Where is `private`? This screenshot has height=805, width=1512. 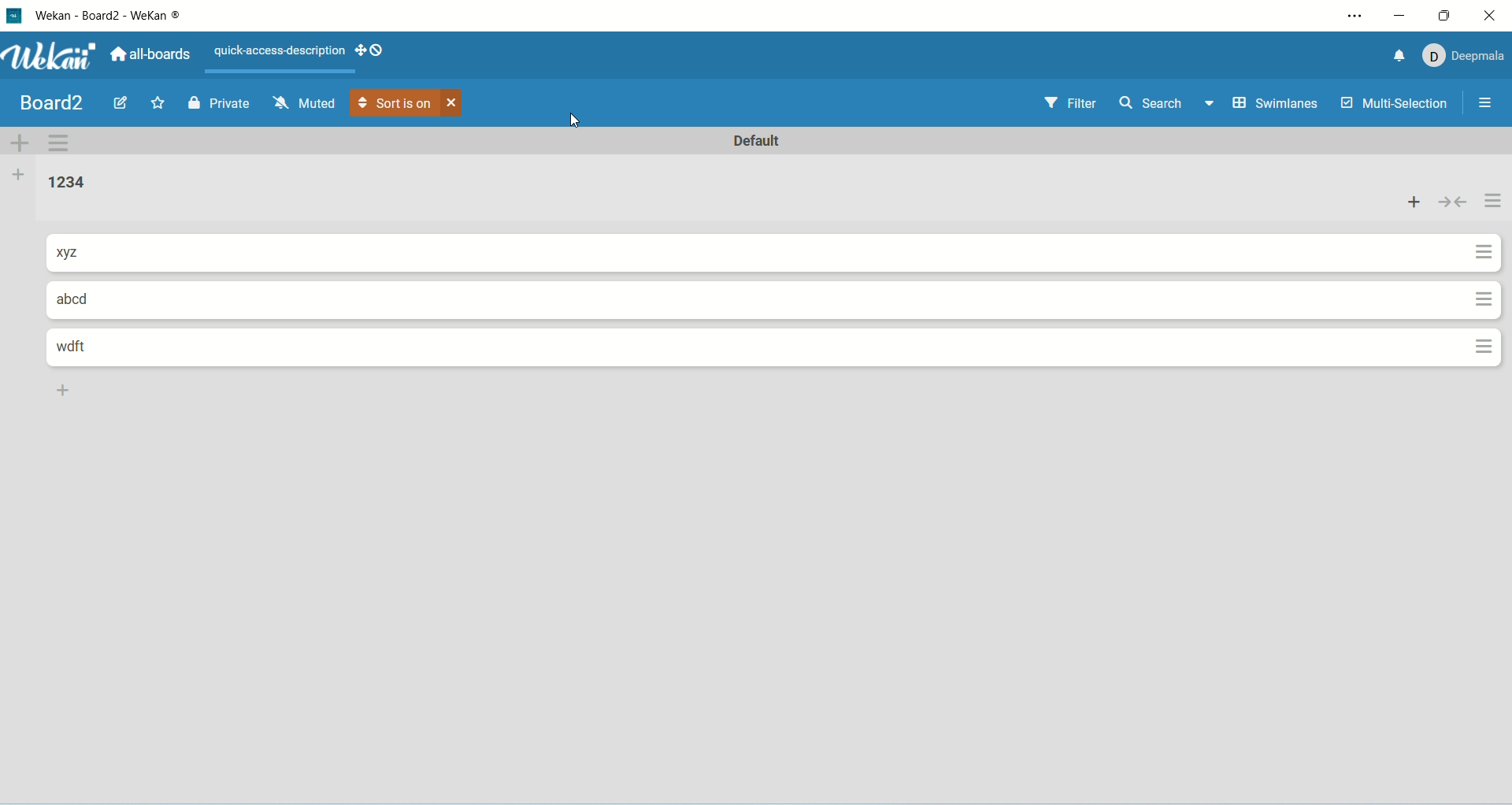
private is located at coordinates (219, 105).